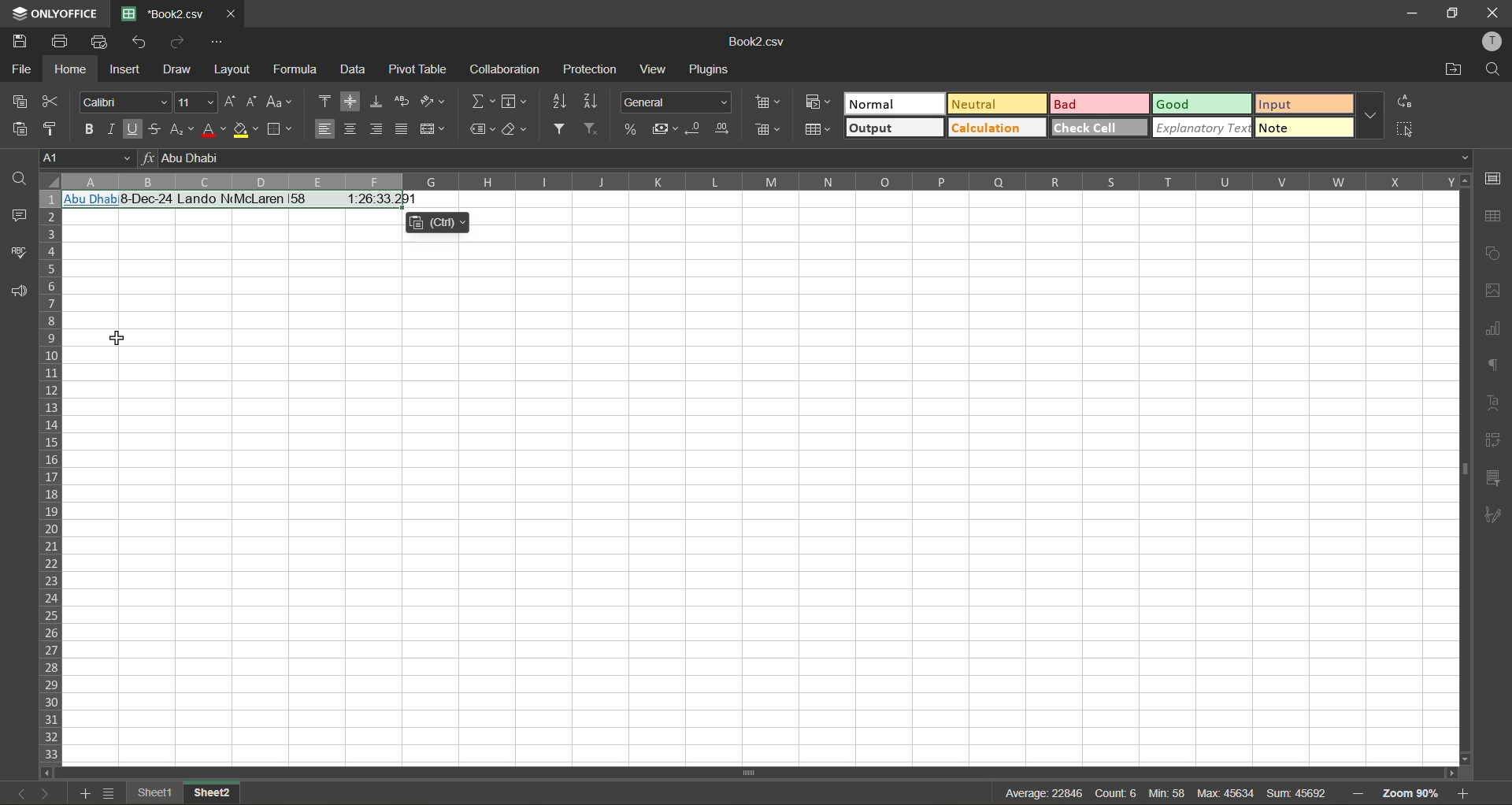 This screenshot has width=1512, height=805. What do you see at coordinates (195, 102) in the screenshot?
I see `font size` at bounding box center [195, 102].